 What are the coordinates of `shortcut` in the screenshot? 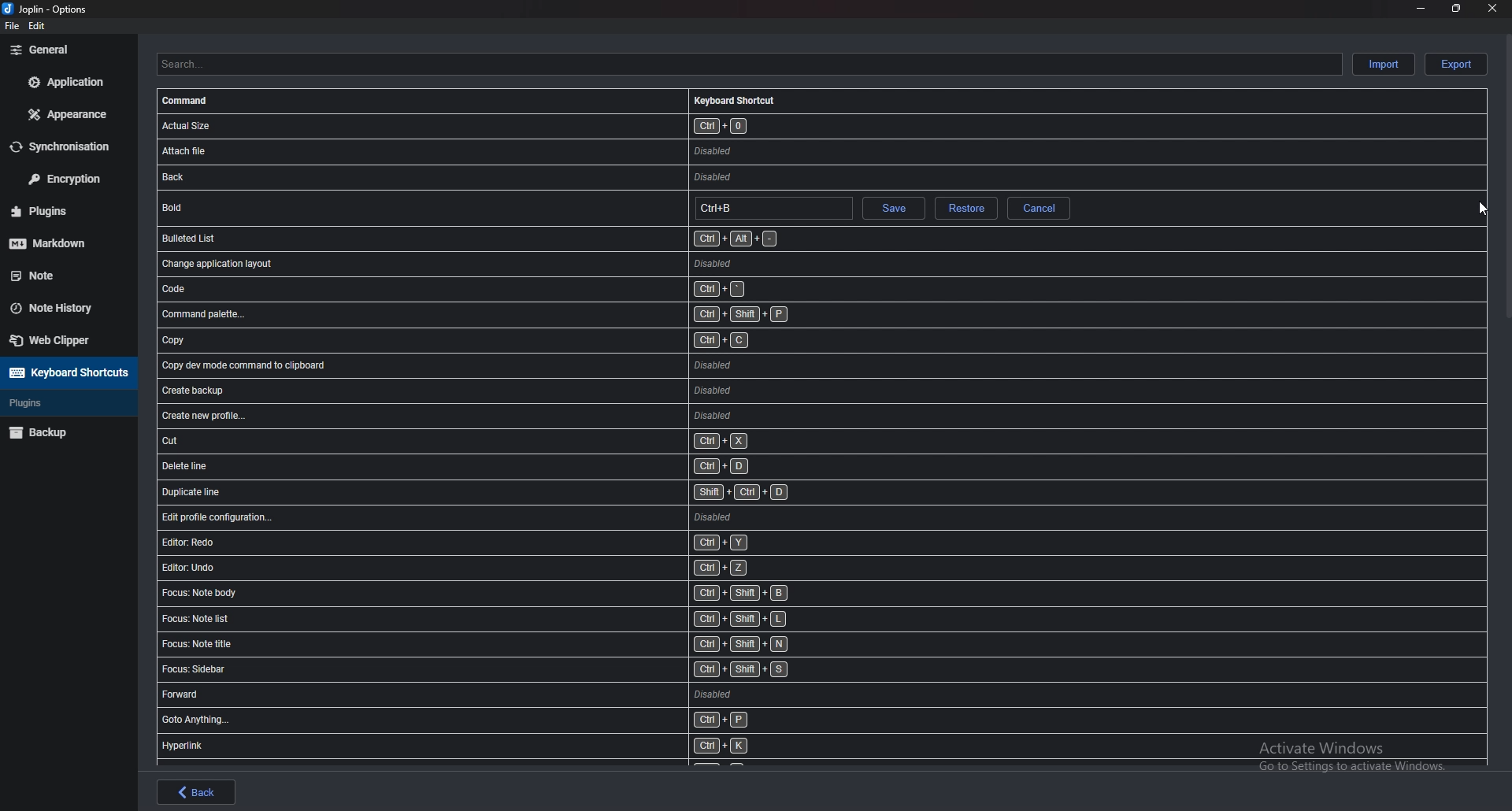 It's located at (522, 643).